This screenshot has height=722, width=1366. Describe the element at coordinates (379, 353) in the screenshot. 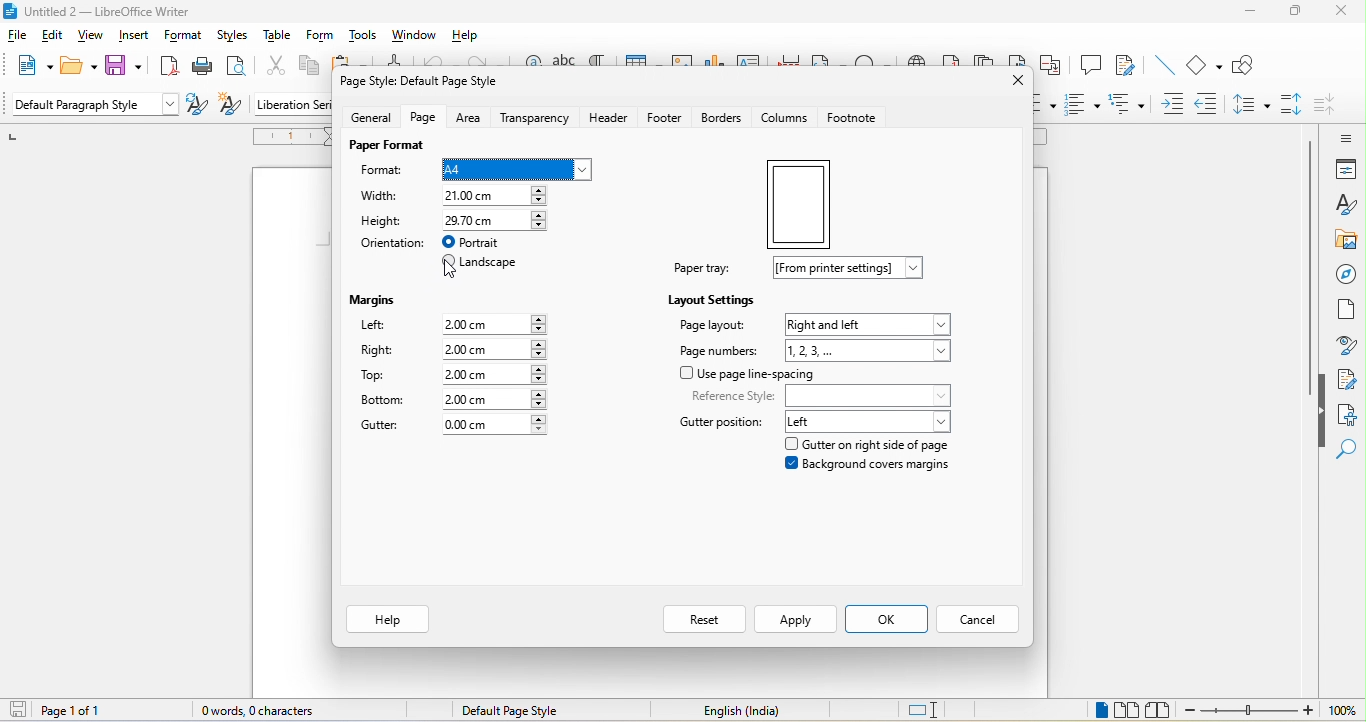

I see `right` at that location.